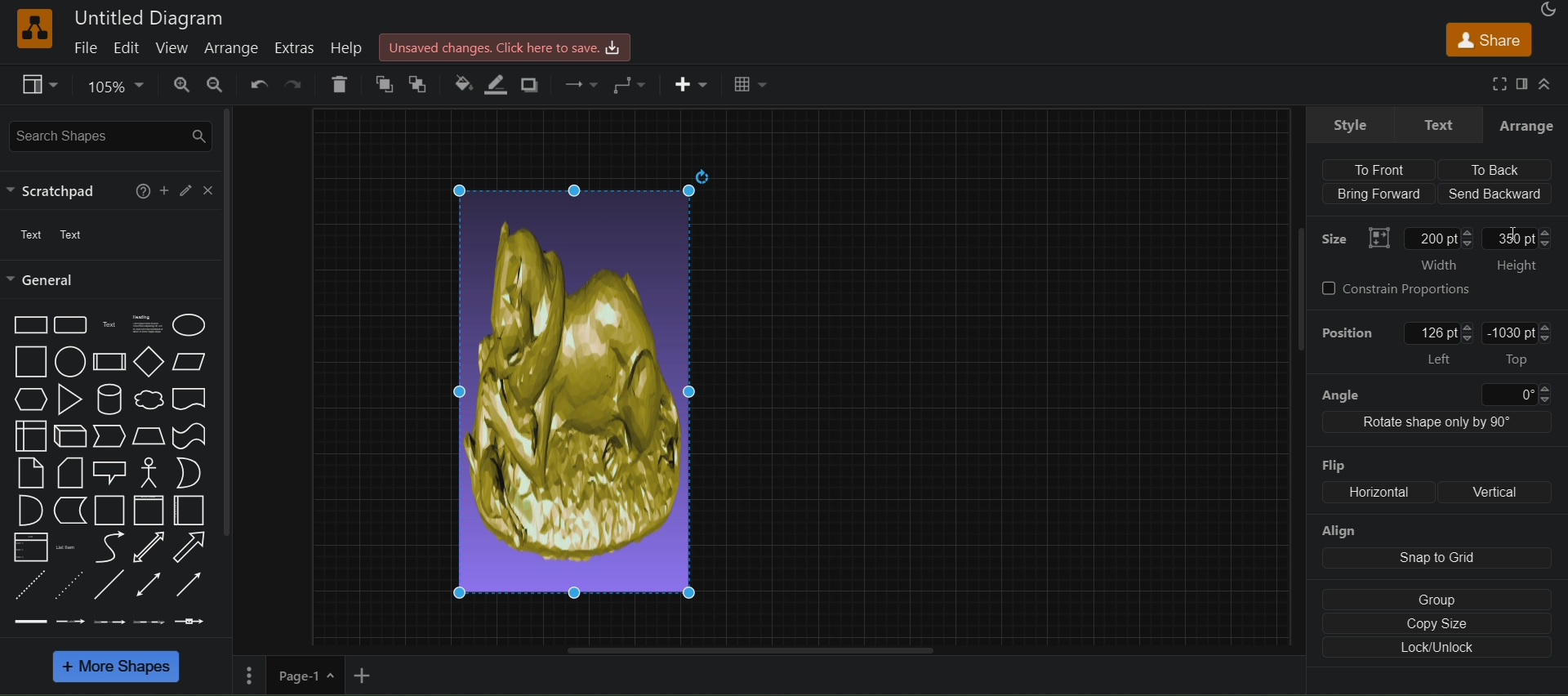  I want to click on Send backward (align), so click(1496, 194).